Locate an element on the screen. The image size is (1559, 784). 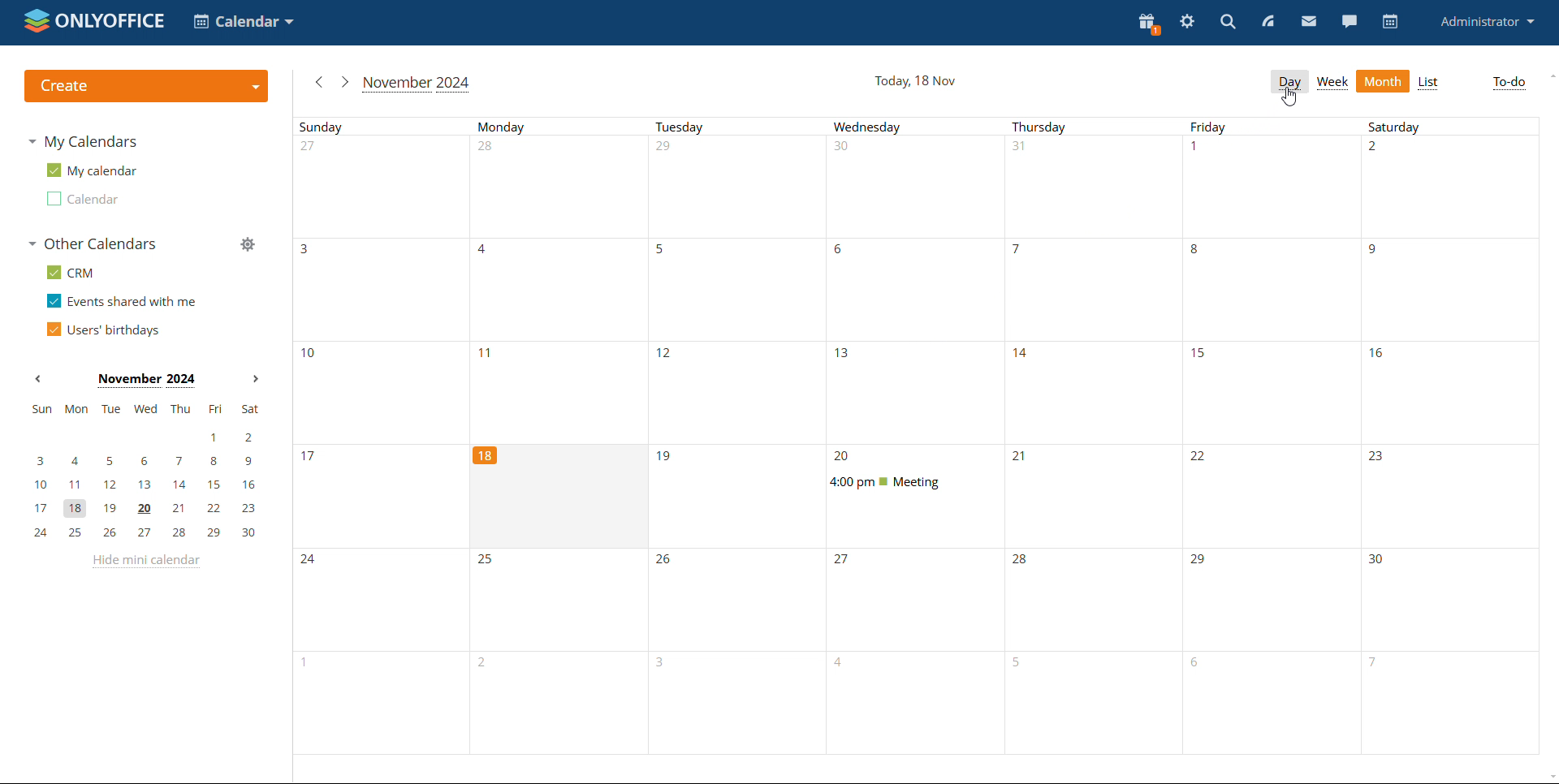
next month is located at coordinates (255, 379).